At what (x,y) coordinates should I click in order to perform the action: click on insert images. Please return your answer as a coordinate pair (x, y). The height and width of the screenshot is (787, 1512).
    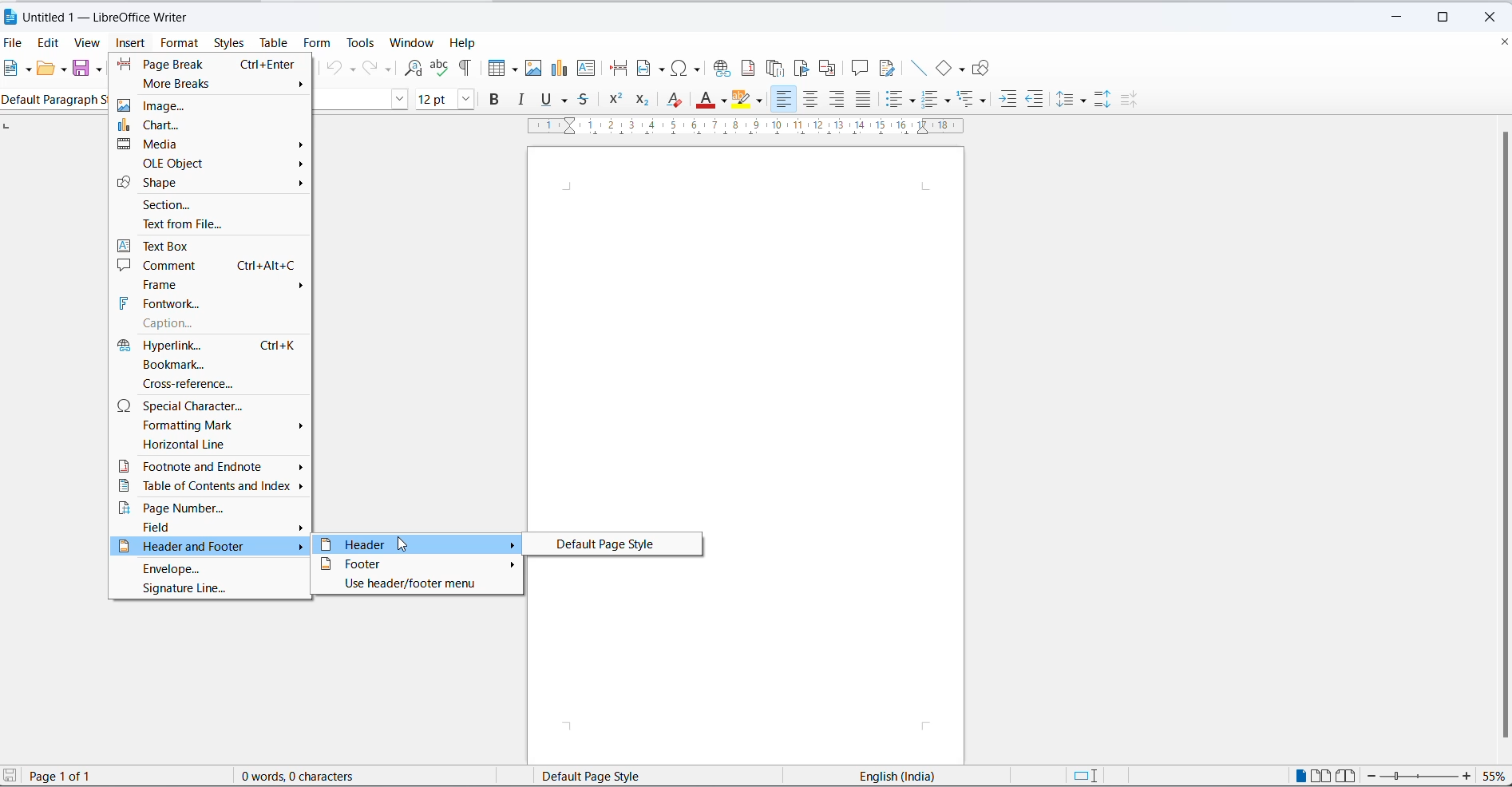
    Looking at the image, I should click on (534, 68).